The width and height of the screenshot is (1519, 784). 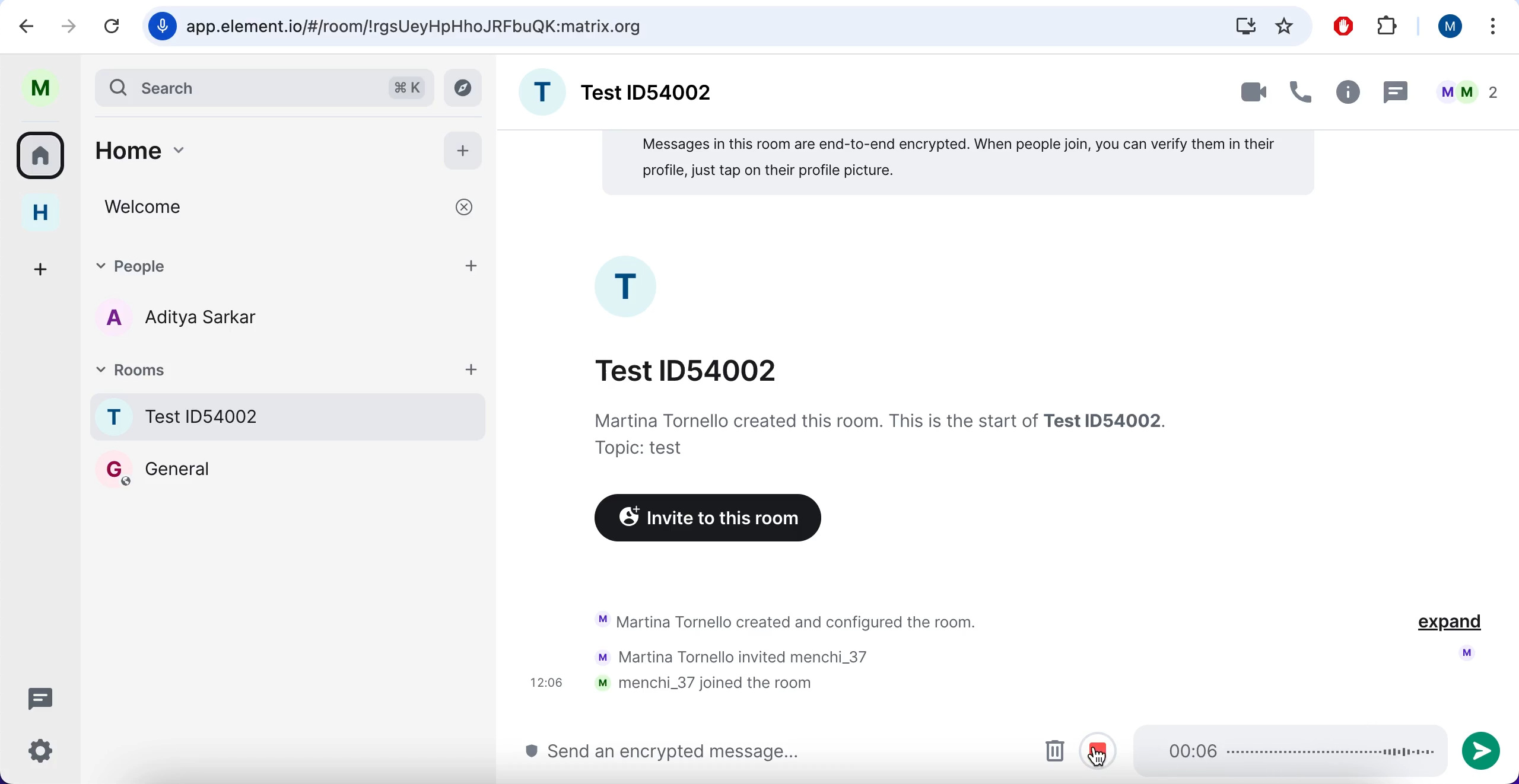 What do you see at coordinates (669, 752) in the screenshot?
I see `send a encrypted message` at bounding box center [669, 752].